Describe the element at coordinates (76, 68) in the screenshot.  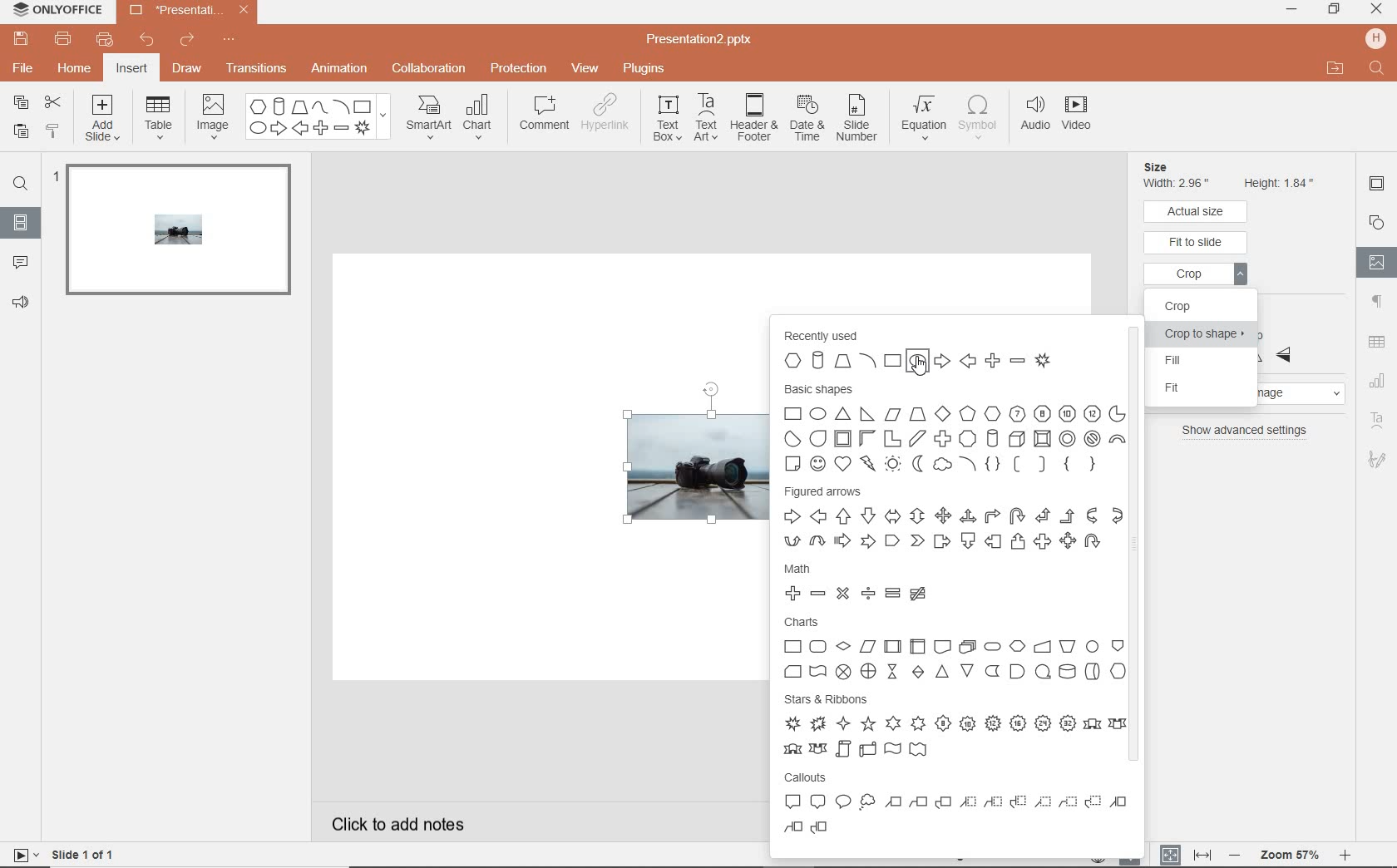
I see `home` at that location.